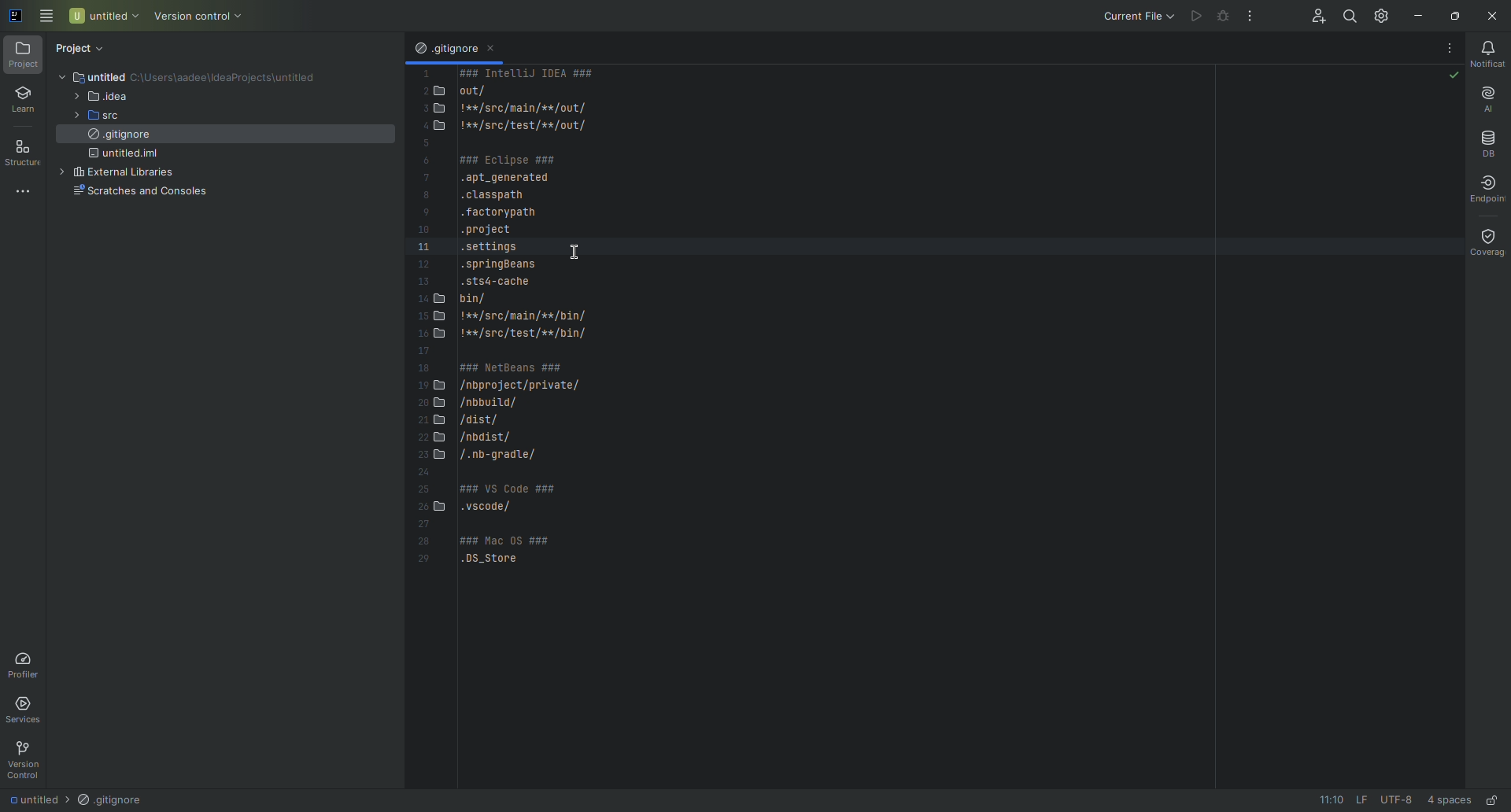 The height and width of the screenshot is (812, 1511). I want to click on .gitgmore, so click(445, 50).